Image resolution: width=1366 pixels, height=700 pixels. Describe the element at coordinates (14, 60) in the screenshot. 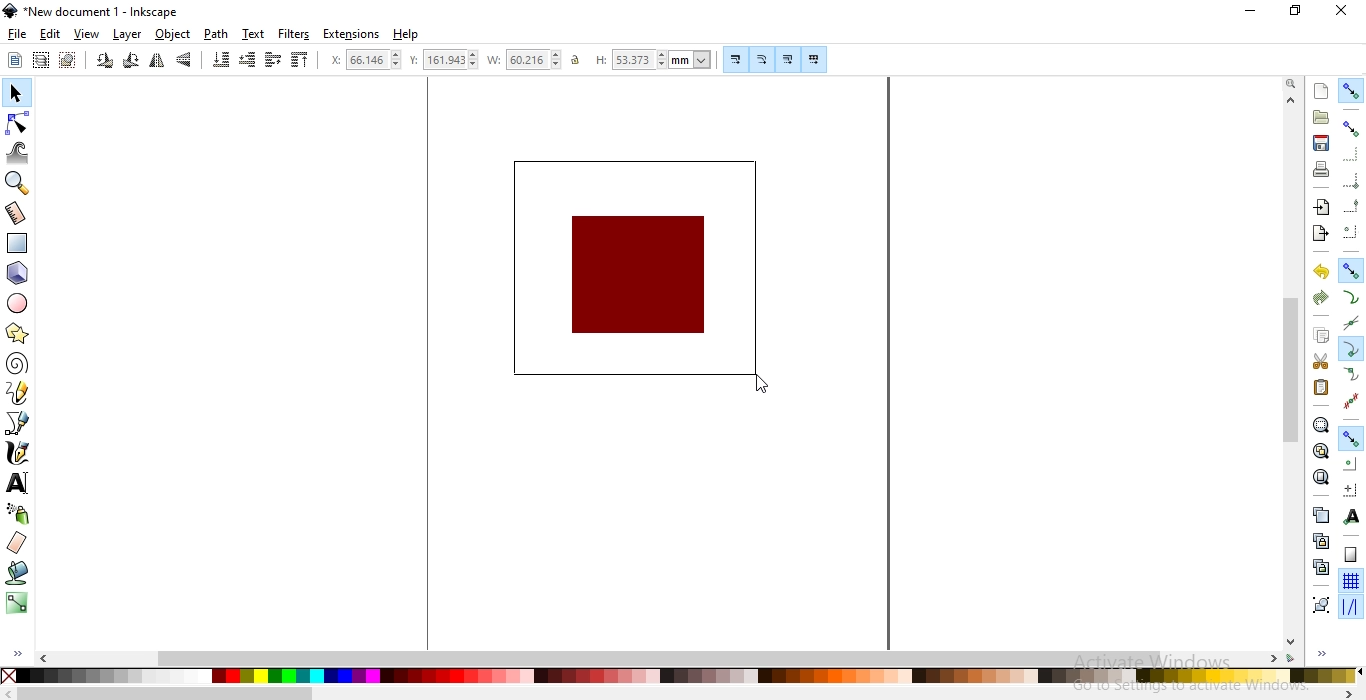

I see `select all objects or nodes` at that location.